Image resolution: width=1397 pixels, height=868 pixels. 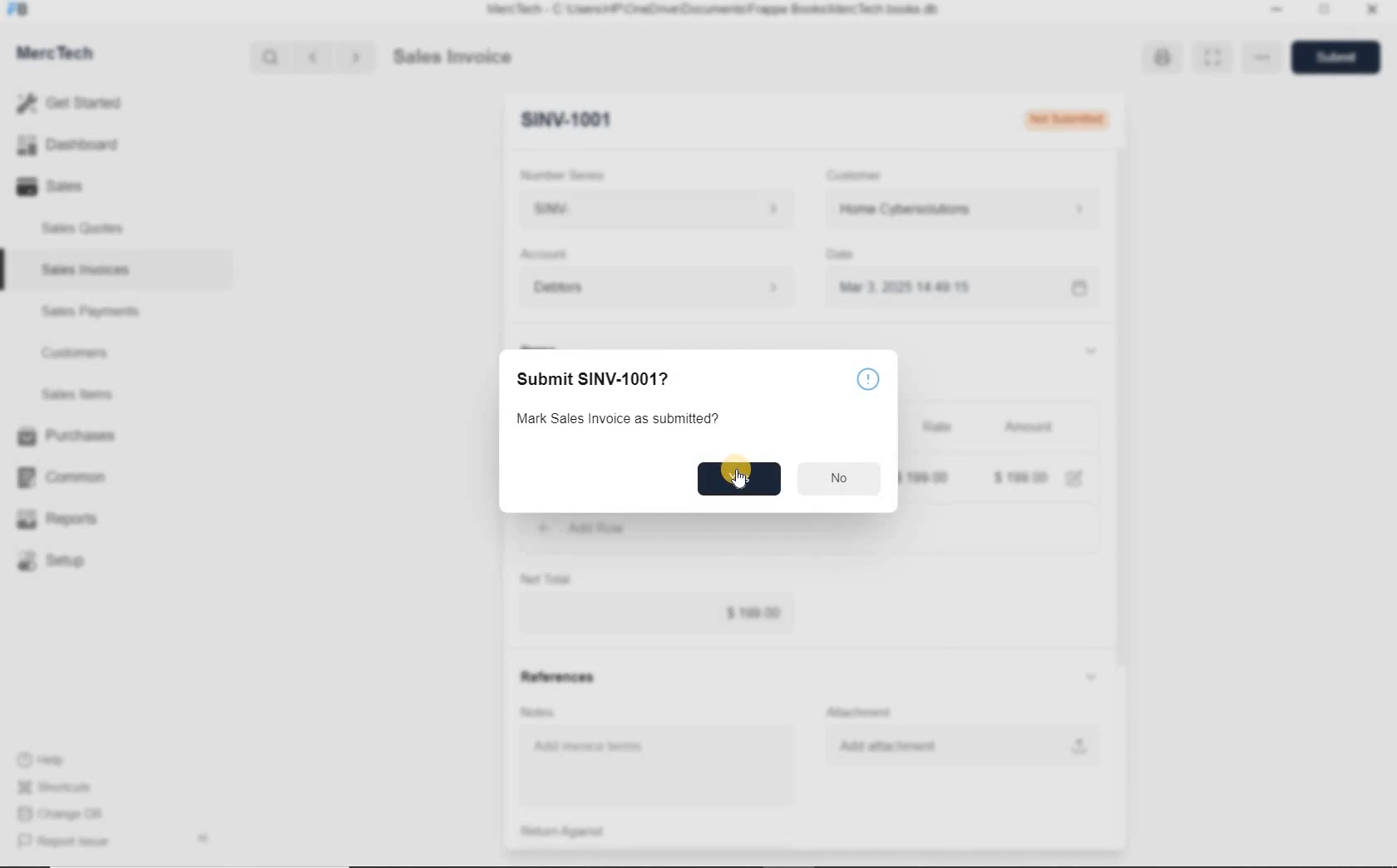 I want to click on Notes, so click(x=541, y=712).